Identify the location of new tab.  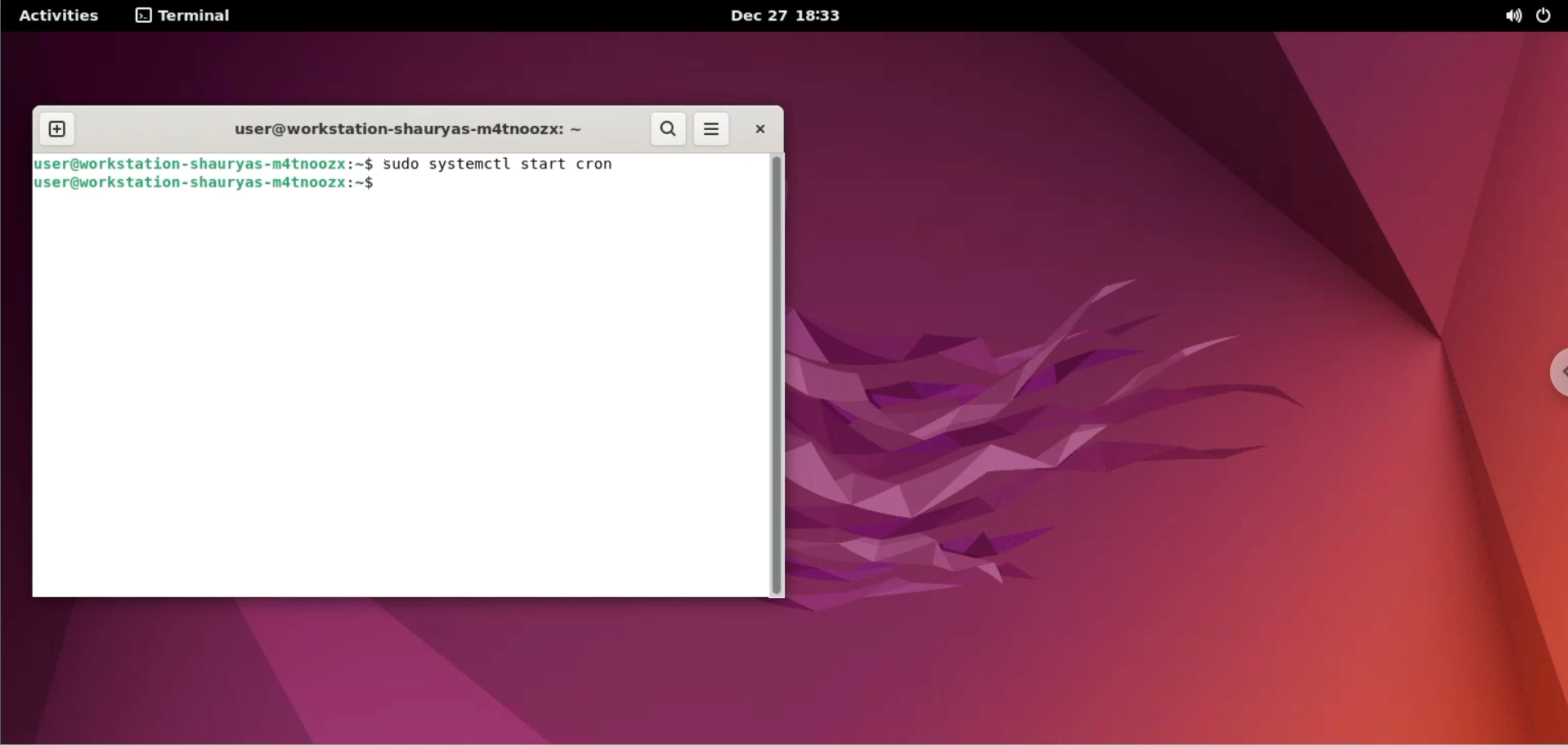
(56, 128).